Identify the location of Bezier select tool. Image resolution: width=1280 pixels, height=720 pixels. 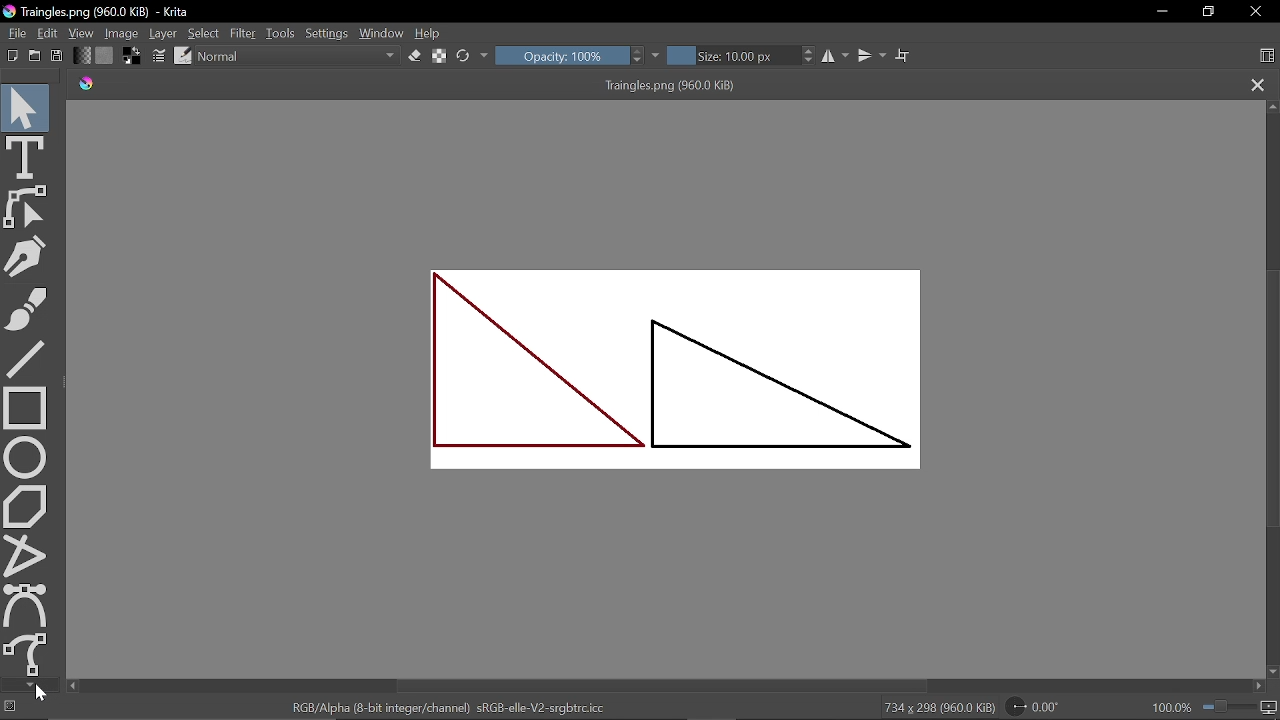
(26, 605).